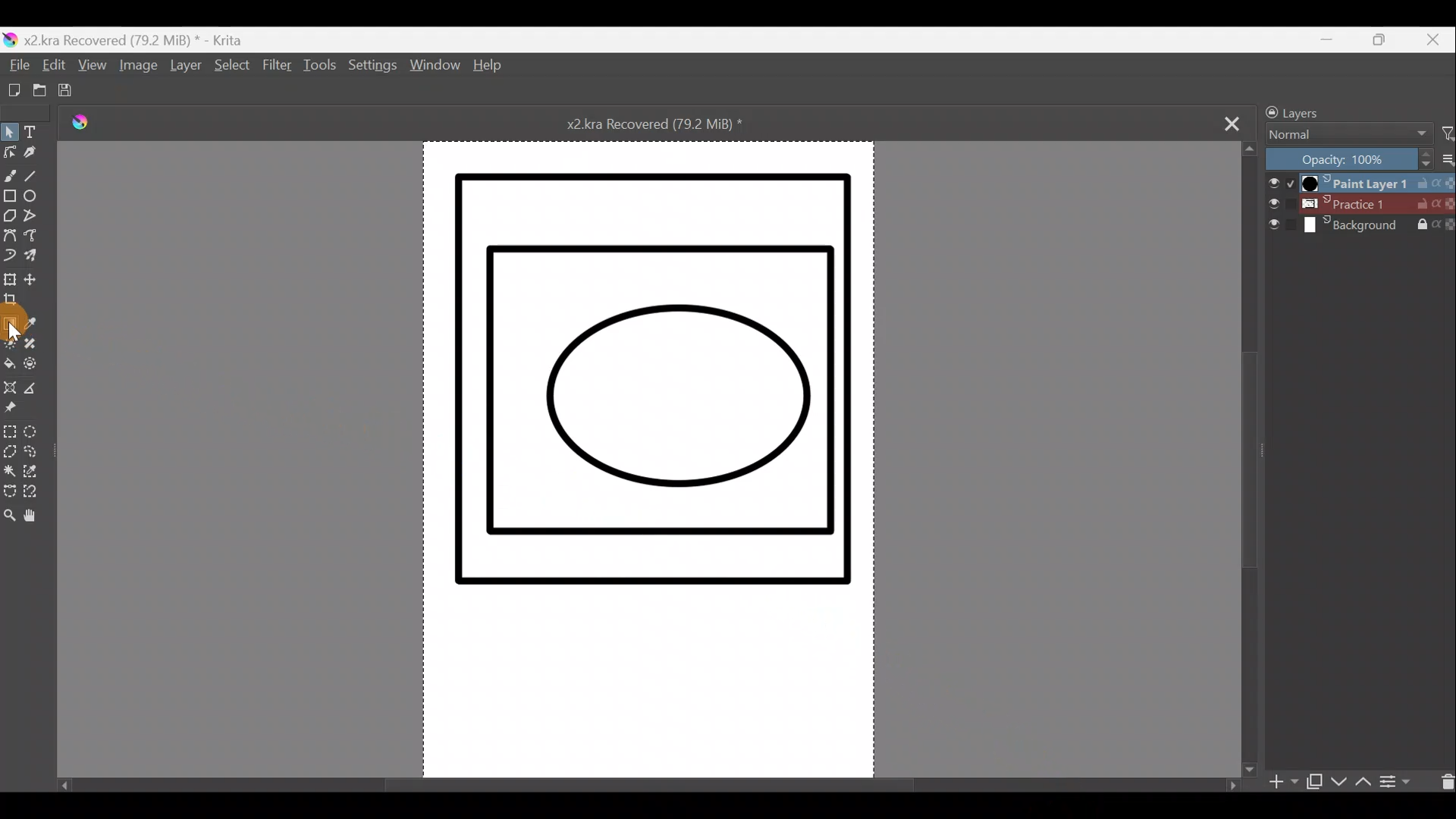  What do you see at coordinates (1357, 181) in the screenshot?
I see `Layer 1` at bounding box center [1357, 181].